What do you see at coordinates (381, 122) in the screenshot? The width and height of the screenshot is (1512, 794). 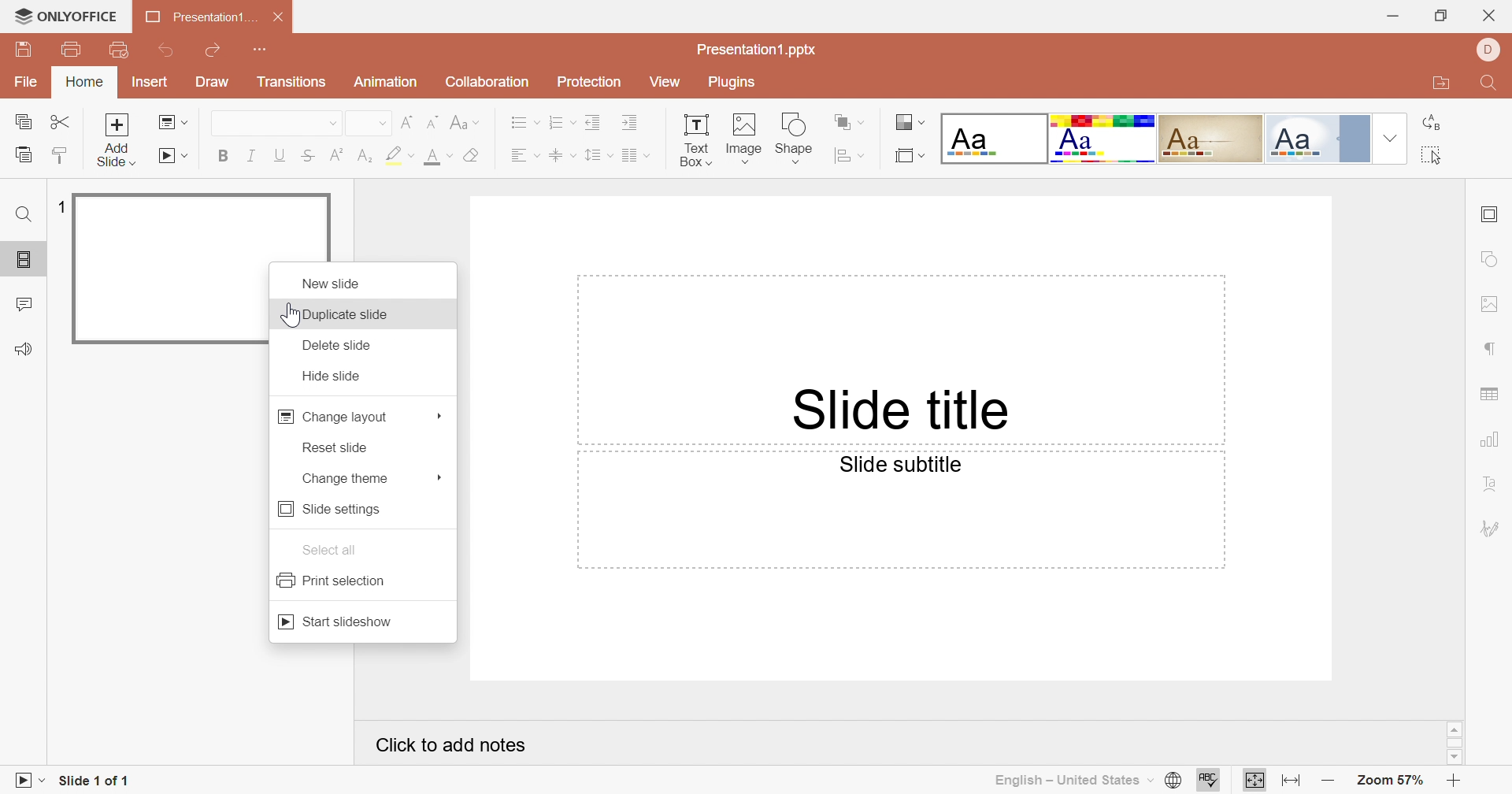 I see `Drop Down` at bounding box center [381, 122].